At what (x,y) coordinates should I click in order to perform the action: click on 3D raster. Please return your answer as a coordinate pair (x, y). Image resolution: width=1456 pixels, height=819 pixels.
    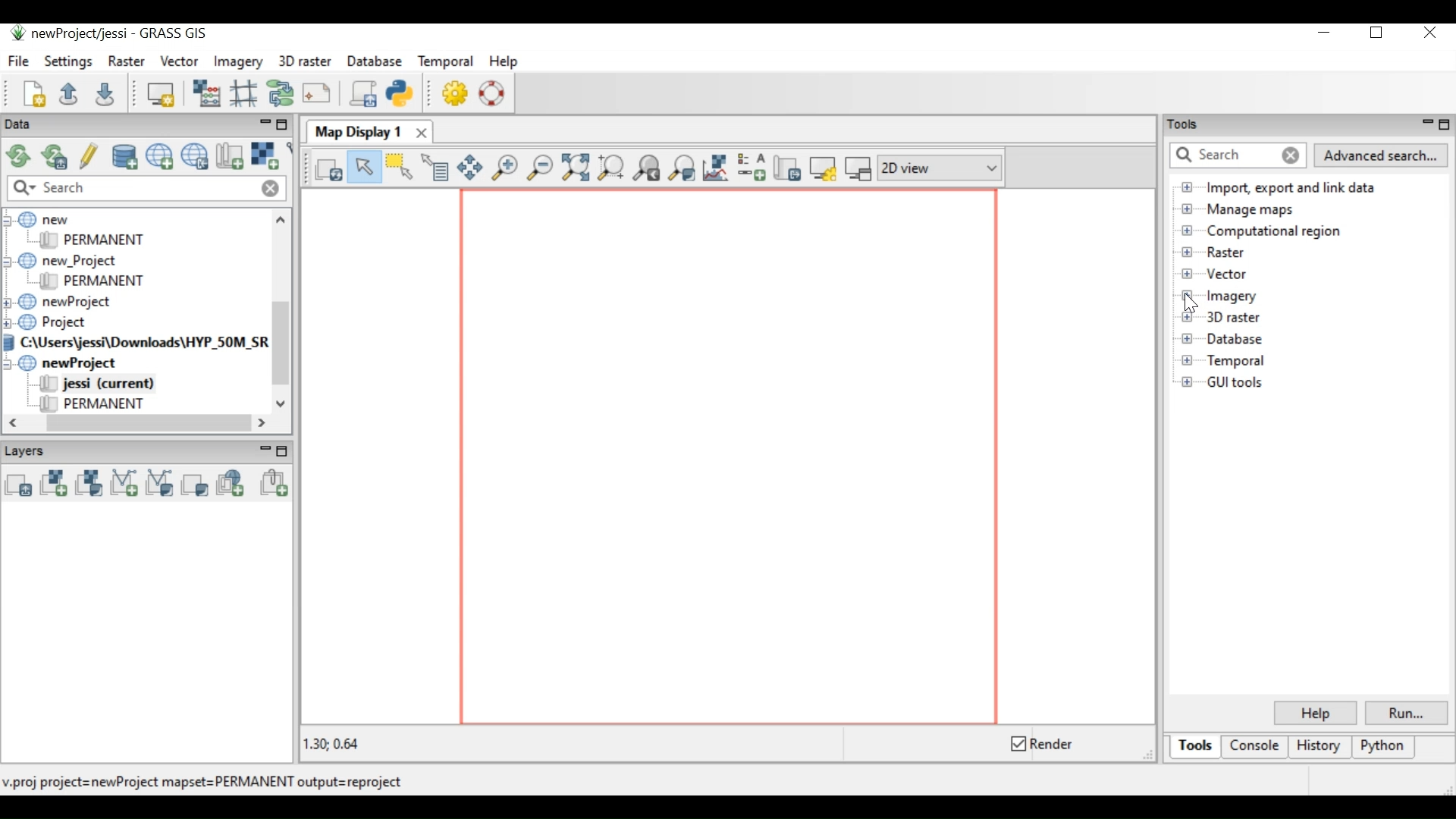
    Looking at the image, I should click on (1218, 318).